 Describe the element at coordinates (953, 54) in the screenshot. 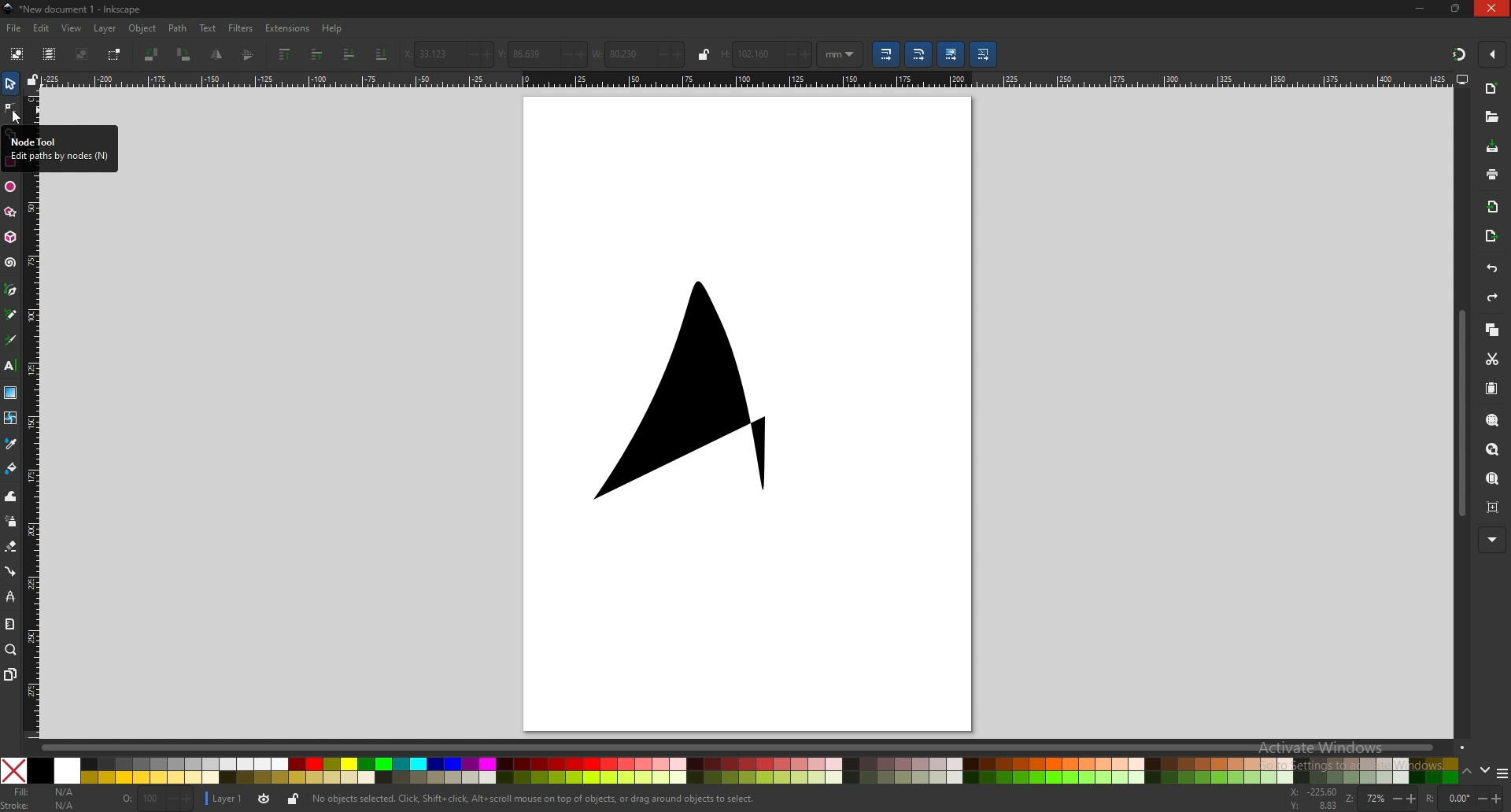

I see `move gradient` at that location.